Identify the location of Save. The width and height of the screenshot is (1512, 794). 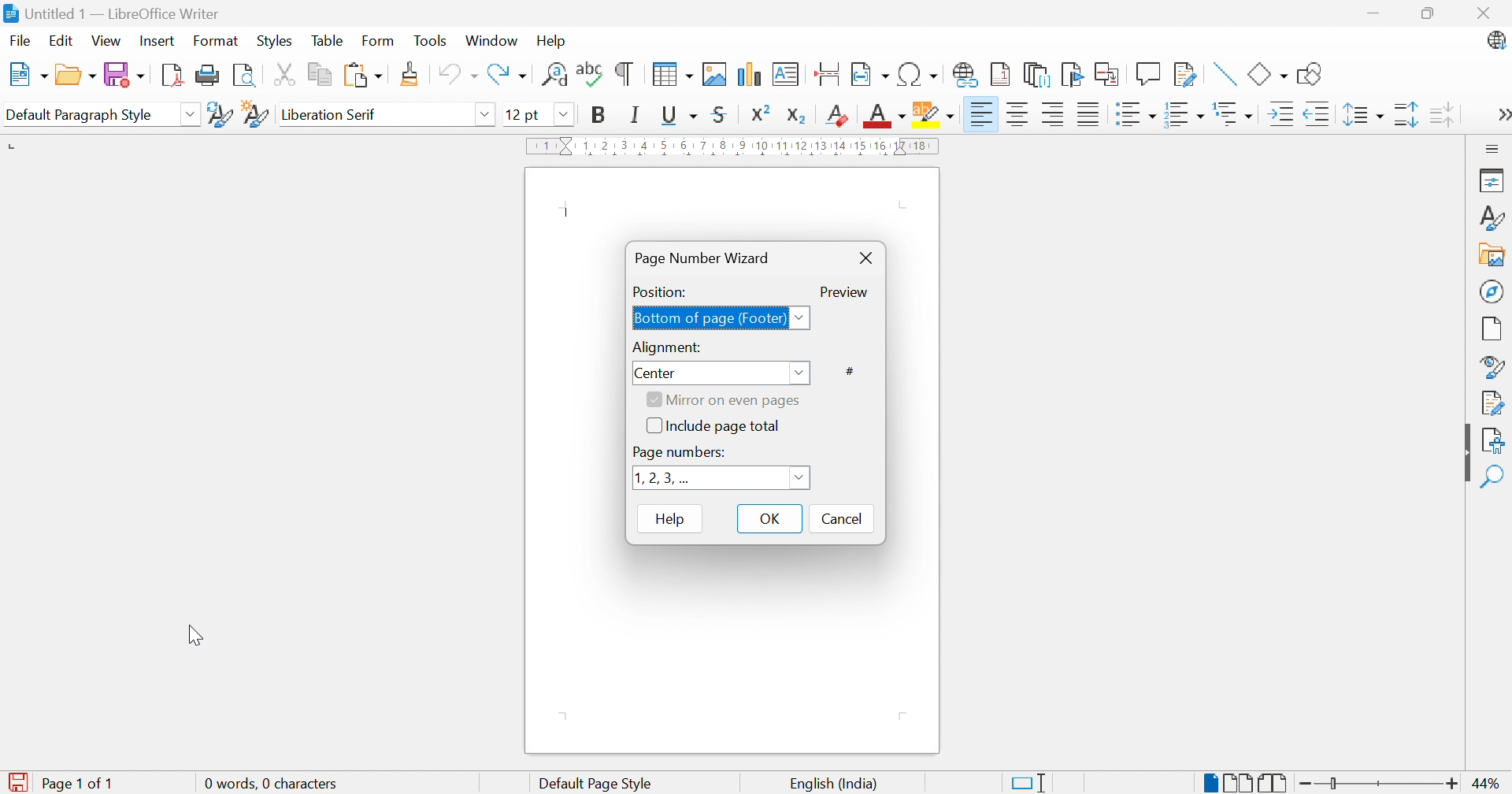
(124, 74).